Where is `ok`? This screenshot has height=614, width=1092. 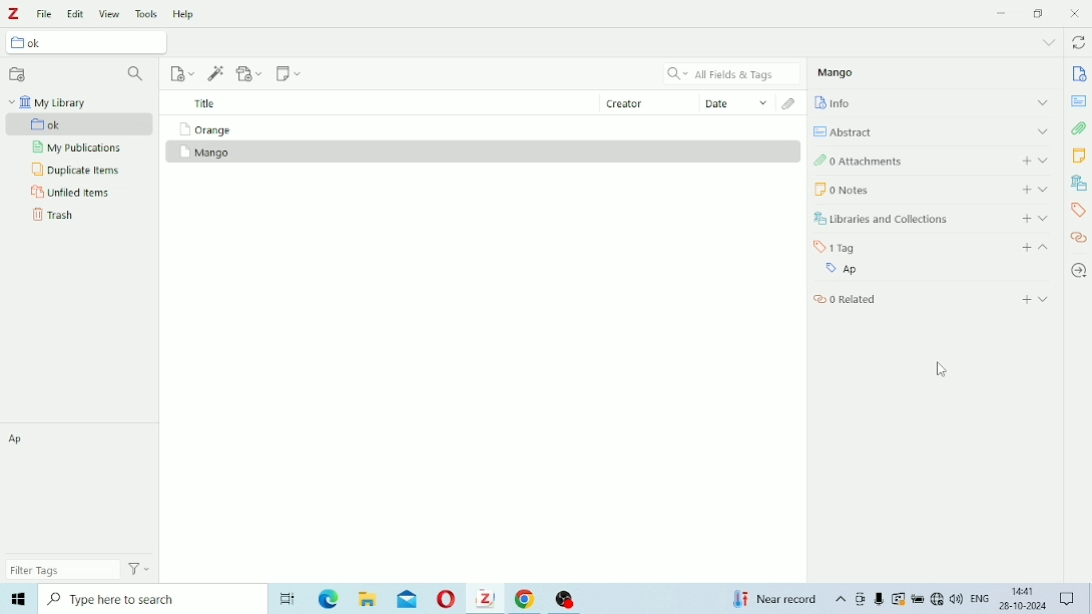
ok is located at coordinates (81, 124).